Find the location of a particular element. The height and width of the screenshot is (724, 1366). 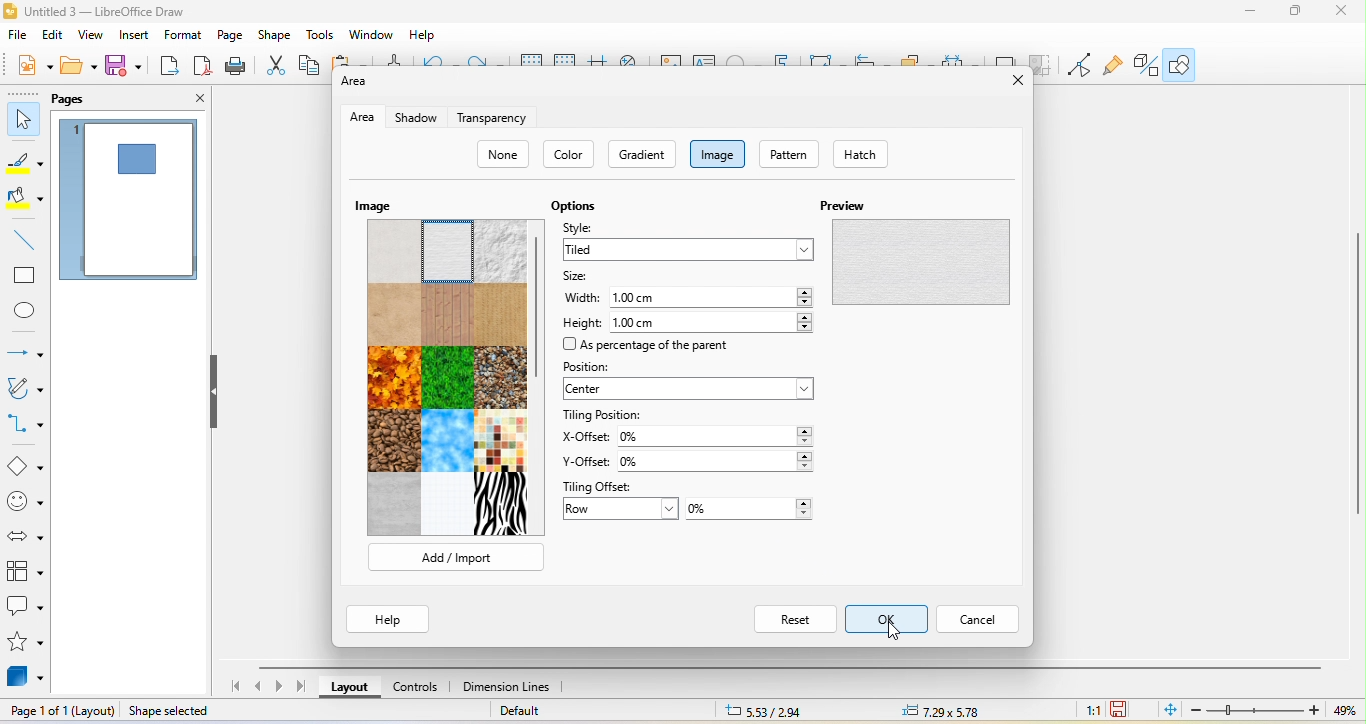

vertical scroll bar is located at coordinates (542, 305).